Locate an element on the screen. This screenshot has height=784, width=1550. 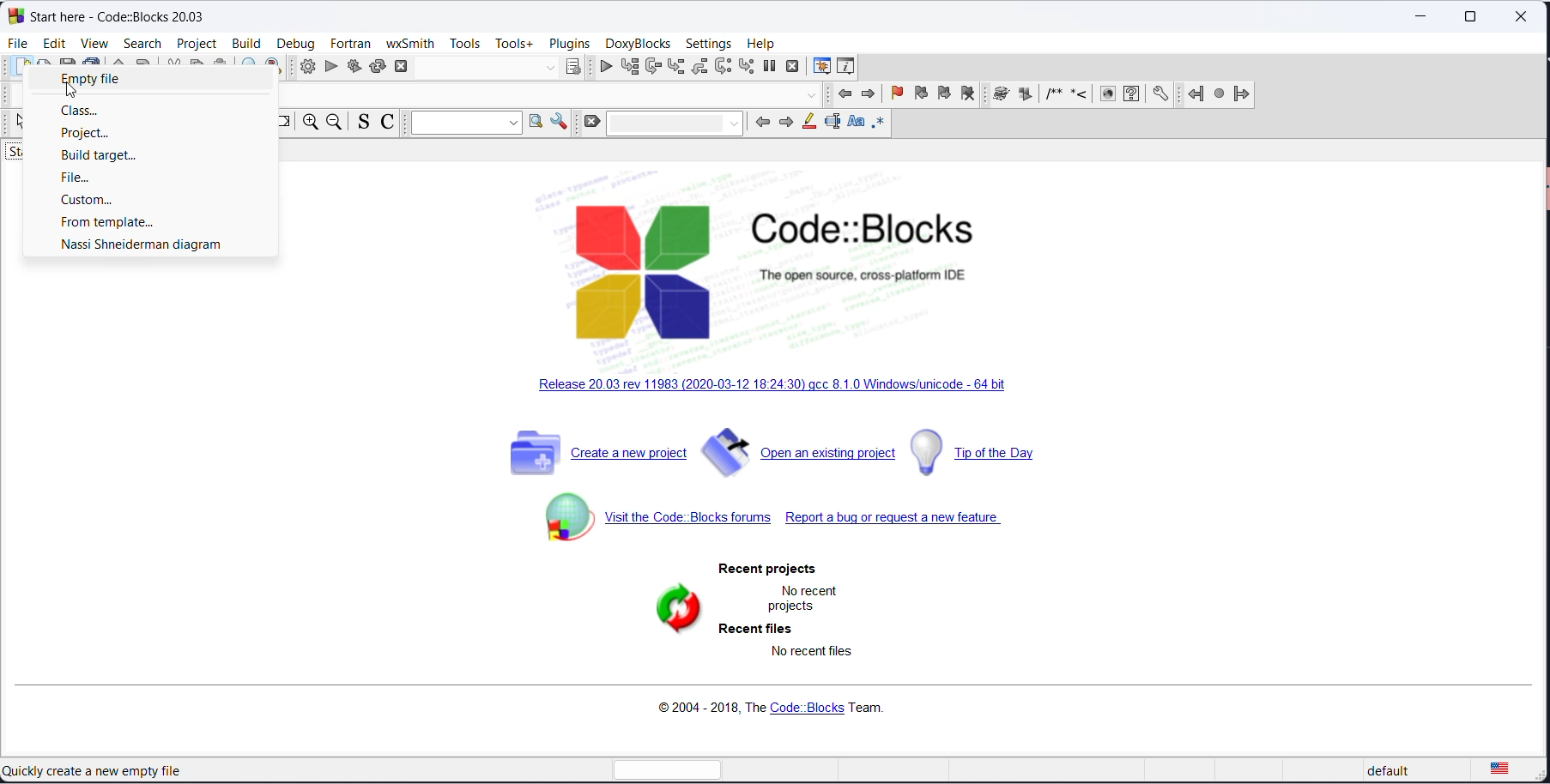
tip of the day is located at coordinates (997, 451).